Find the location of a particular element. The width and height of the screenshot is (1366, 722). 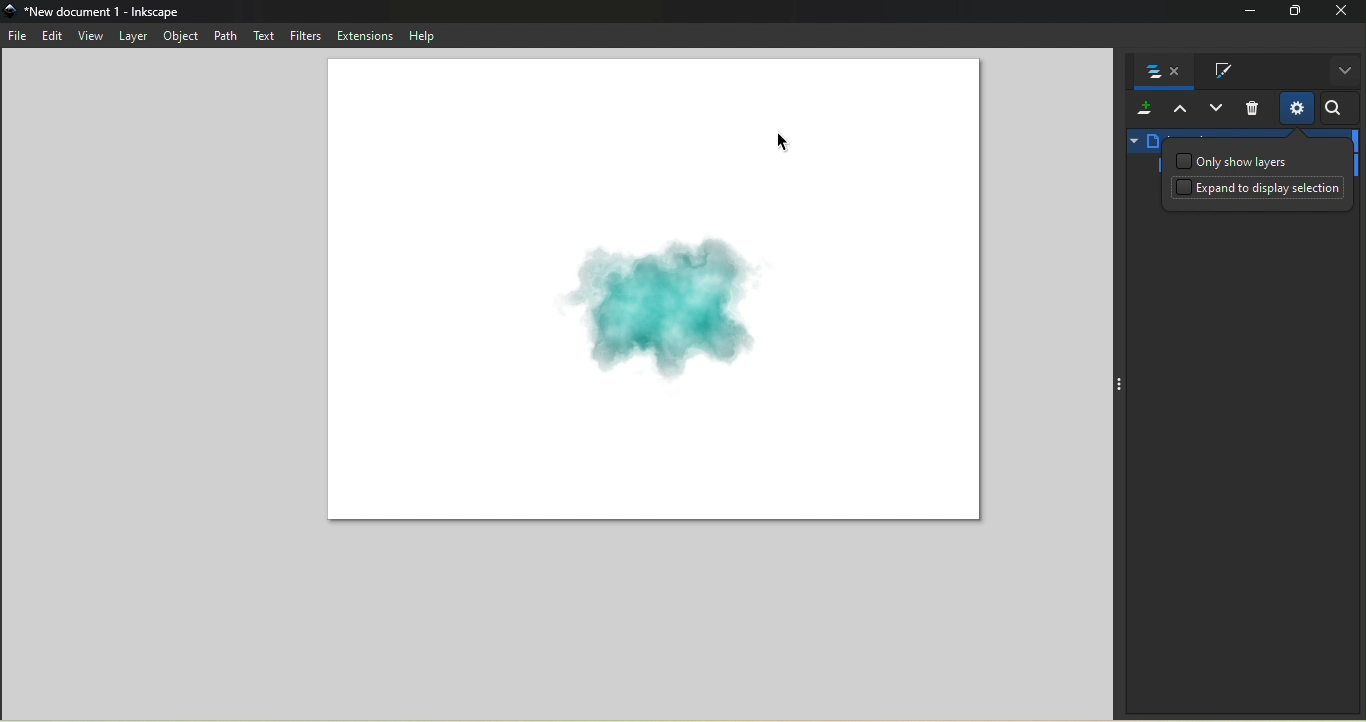

Delete selected item is located at coordinates (1253, 110).